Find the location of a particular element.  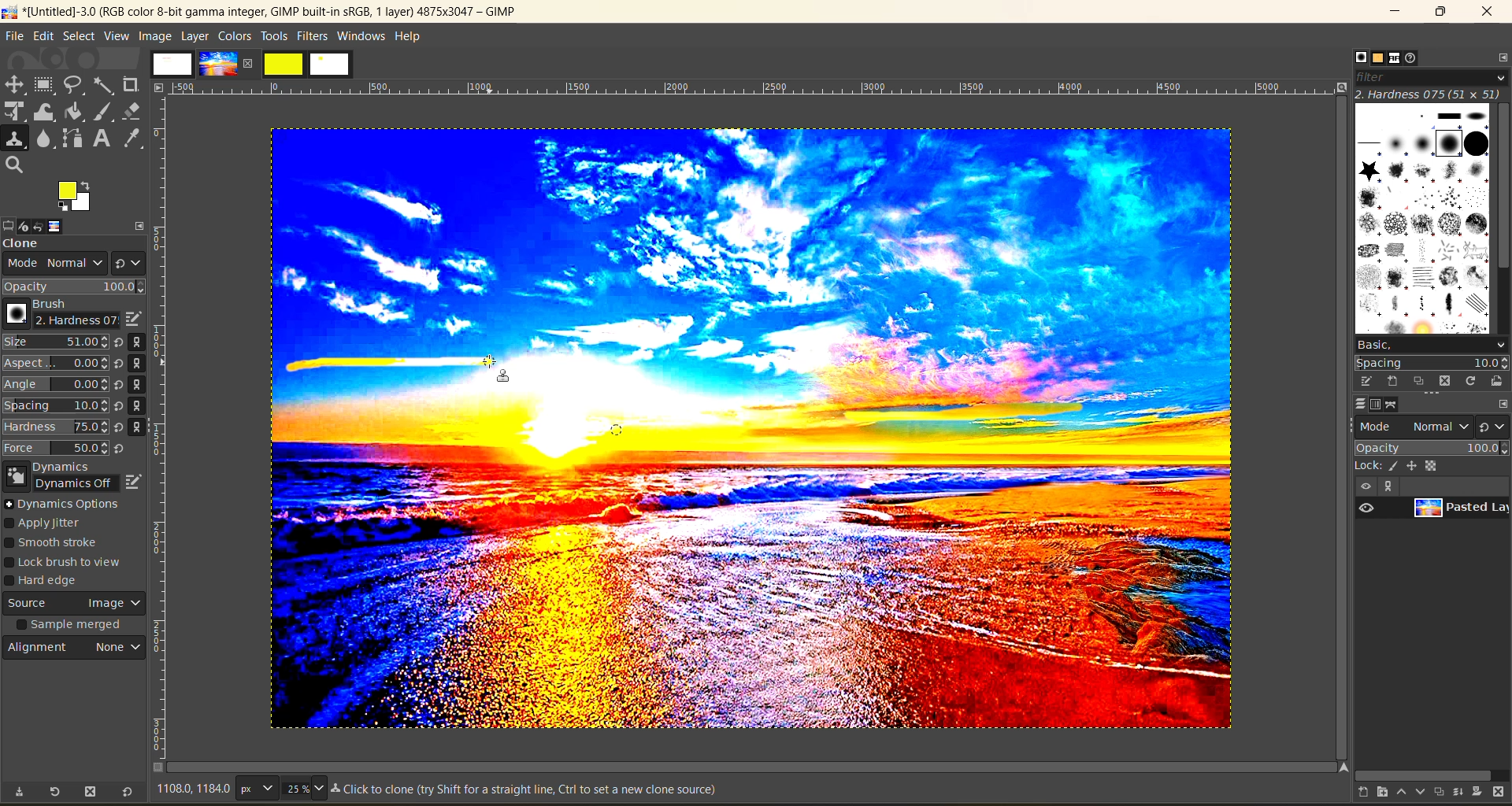

lock brush to view is located at coordinates (70, 563).